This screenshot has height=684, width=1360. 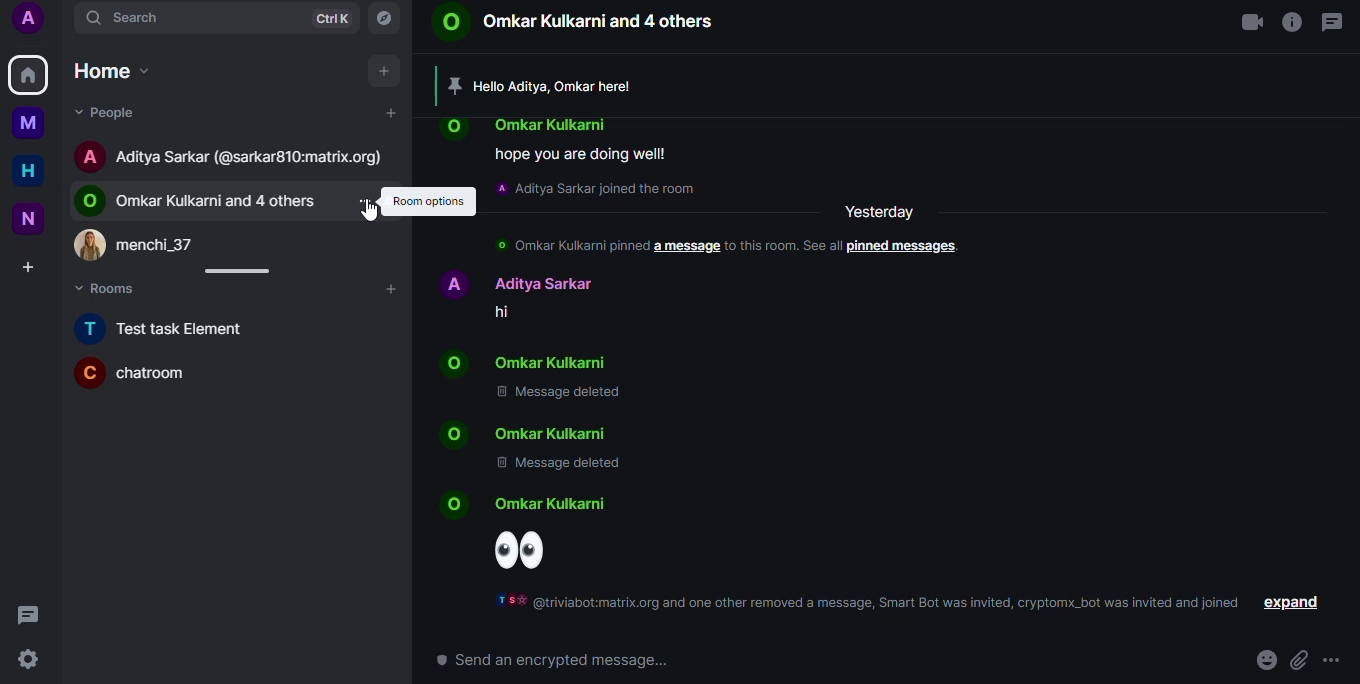 I want to click on info, so click(x=1289, y=24).